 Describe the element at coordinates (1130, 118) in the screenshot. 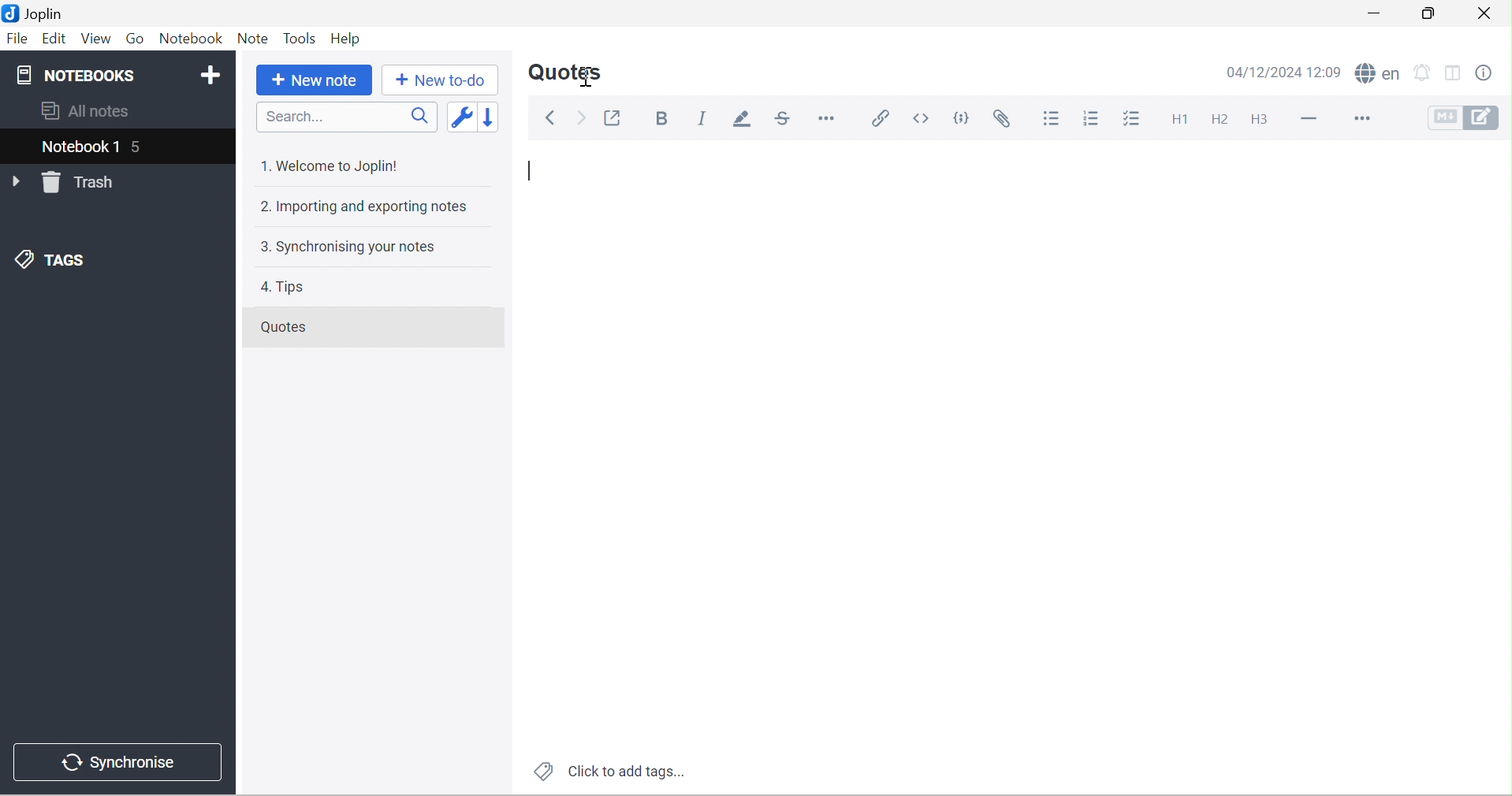

I see `Checkbox list` at that location.